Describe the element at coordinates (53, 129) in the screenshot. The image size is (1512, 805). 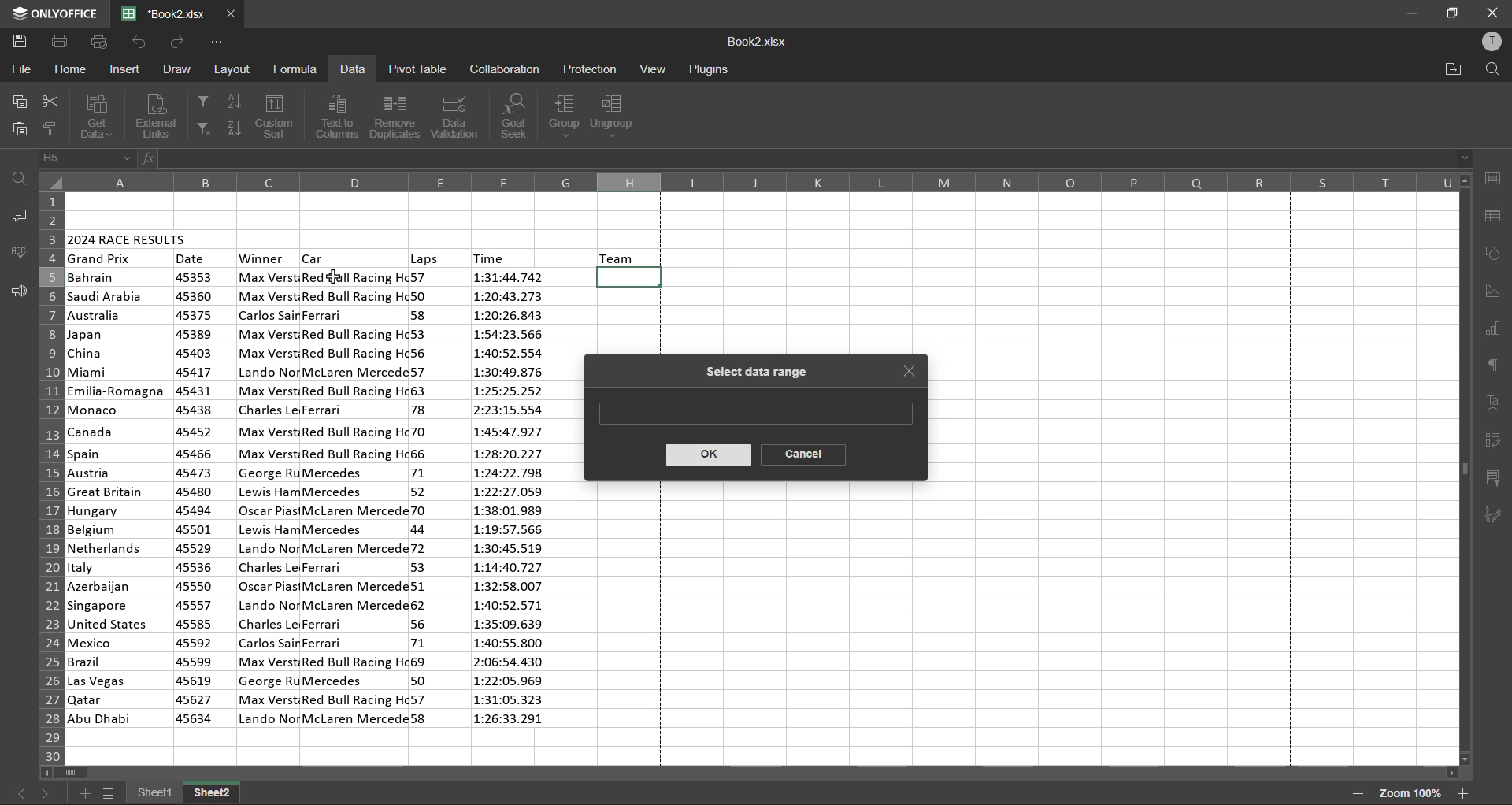
I see `copy style` at that location.